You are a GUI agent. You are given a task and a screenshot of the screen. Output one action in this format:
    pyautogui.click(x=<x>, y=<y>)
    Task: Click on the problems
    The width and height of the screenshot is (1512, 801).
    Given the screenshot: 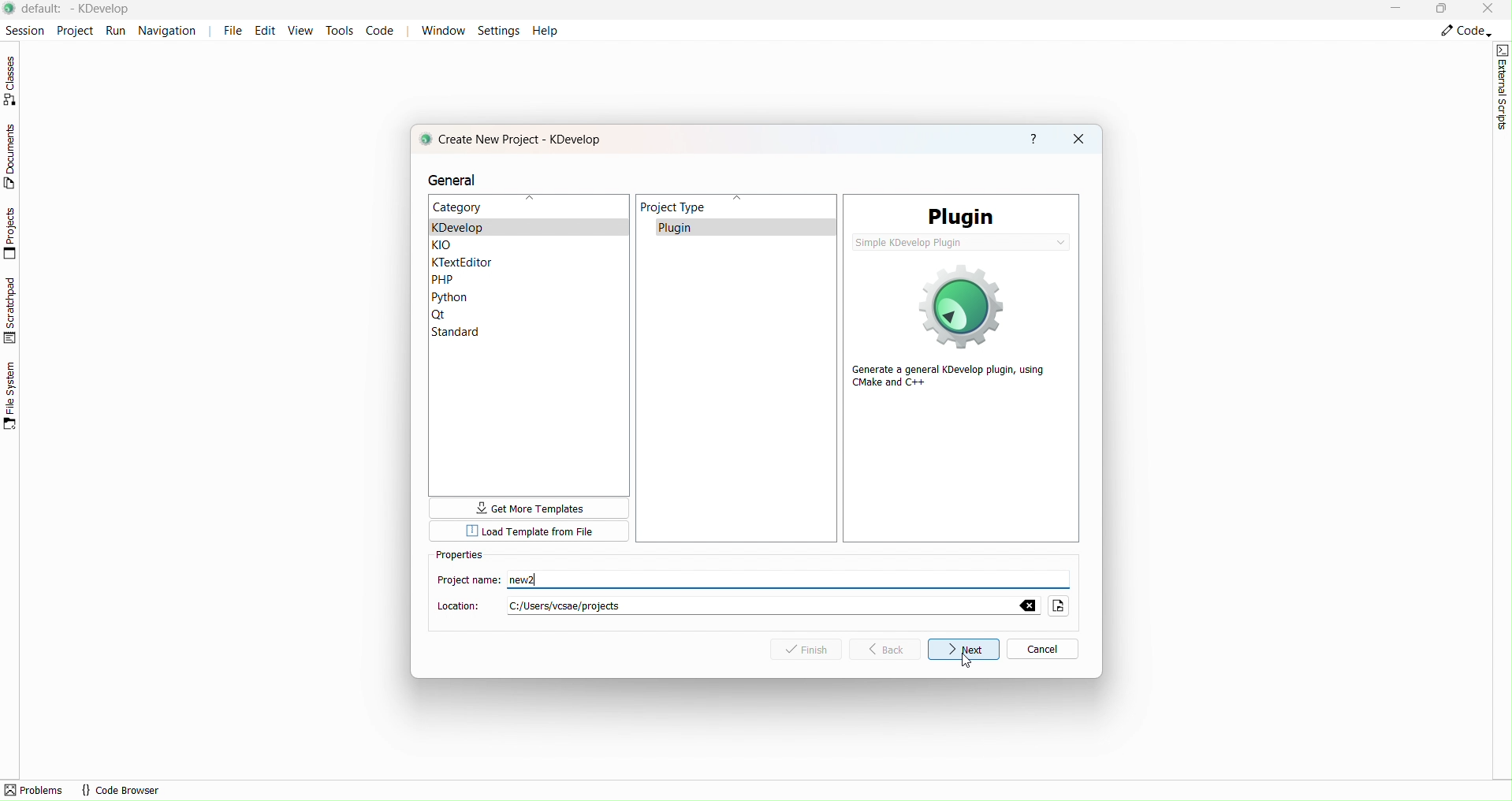 What is the action you would take?
    pyautogui.click(x=35, y=790)
    